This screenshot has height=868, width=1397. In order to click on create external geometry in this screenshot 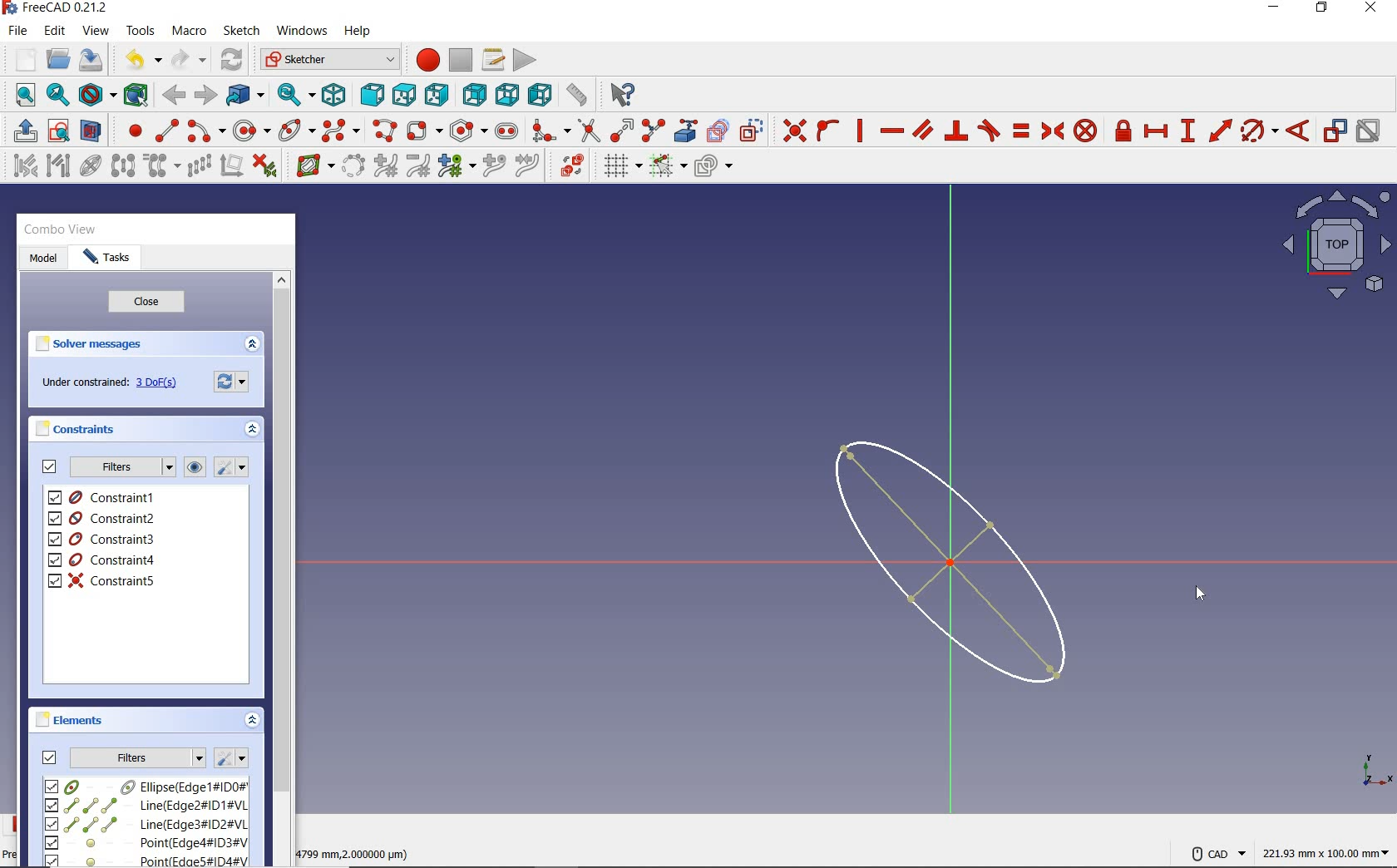, I will do `click(684, 131)`.